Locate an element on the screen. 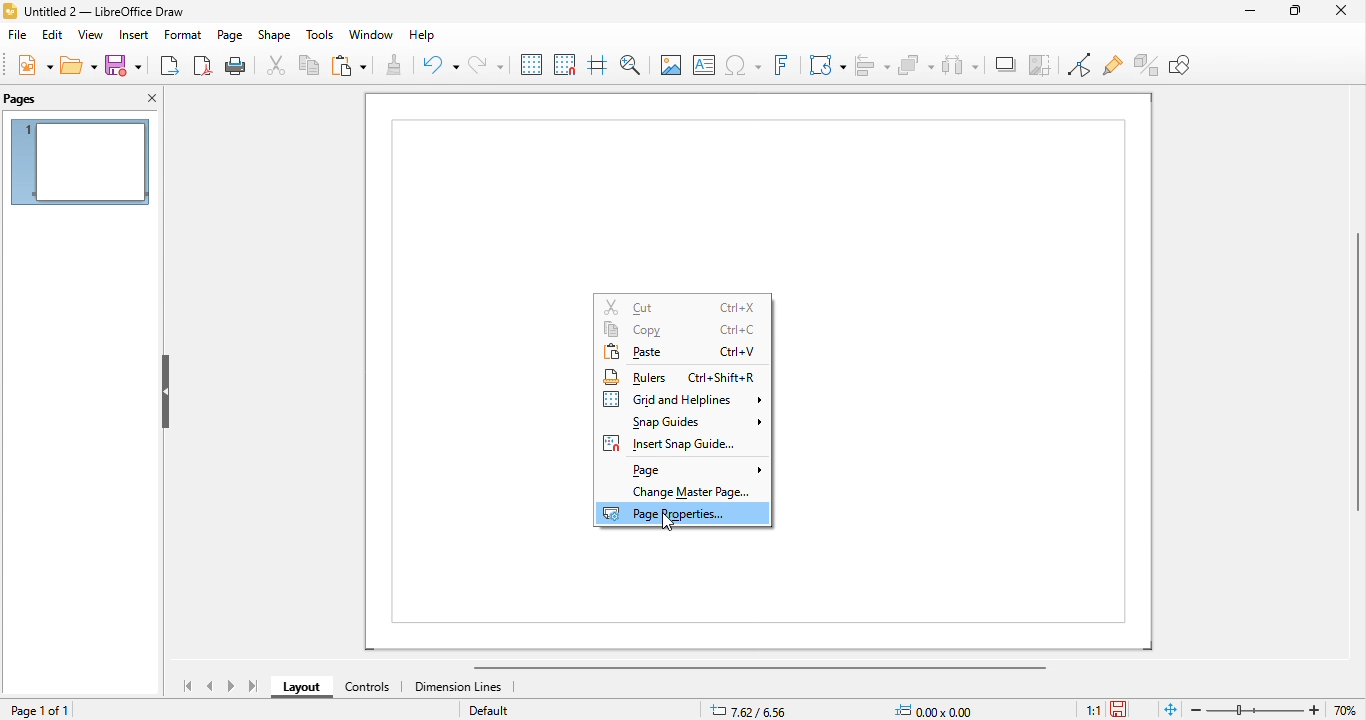 The height and width of the screenshot is (720, 1366). horizontal scroll bar is located at coordinates (771, 667).